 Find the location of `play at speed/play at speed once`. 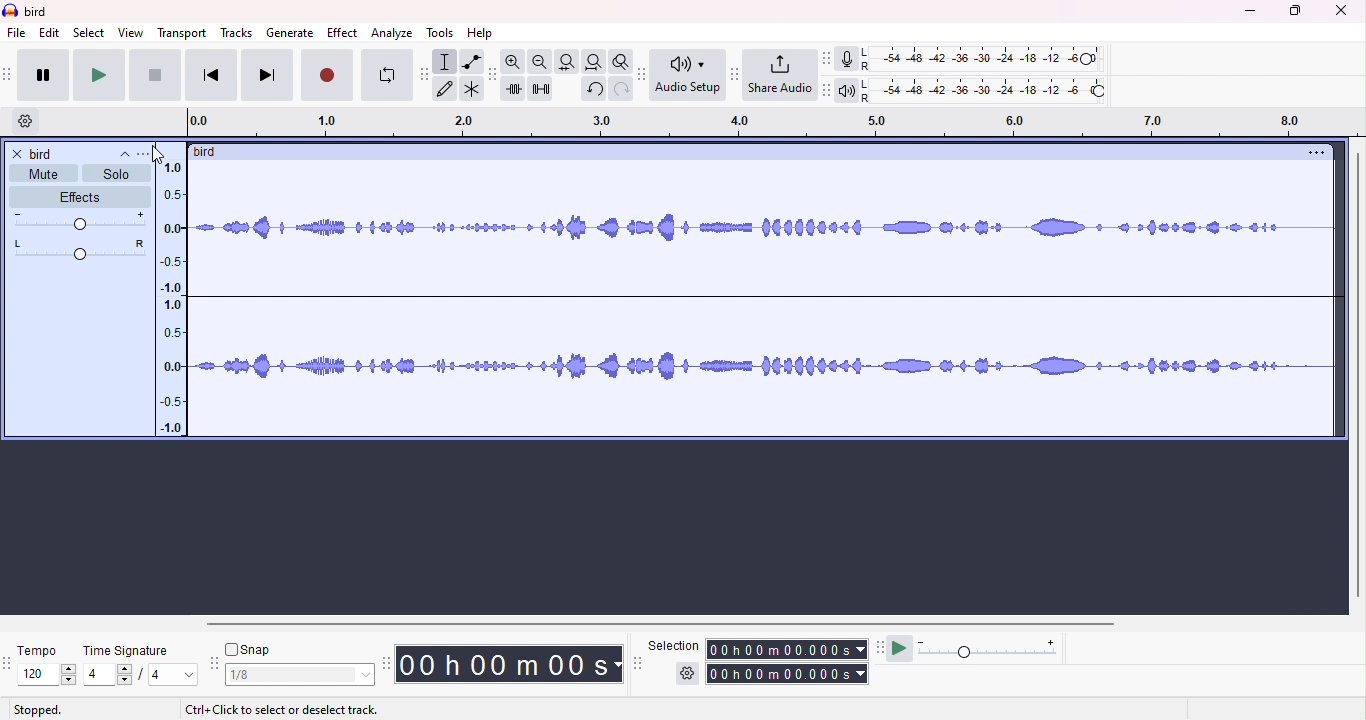

play at speed/play at speed once is located at coordinates (904, 648).